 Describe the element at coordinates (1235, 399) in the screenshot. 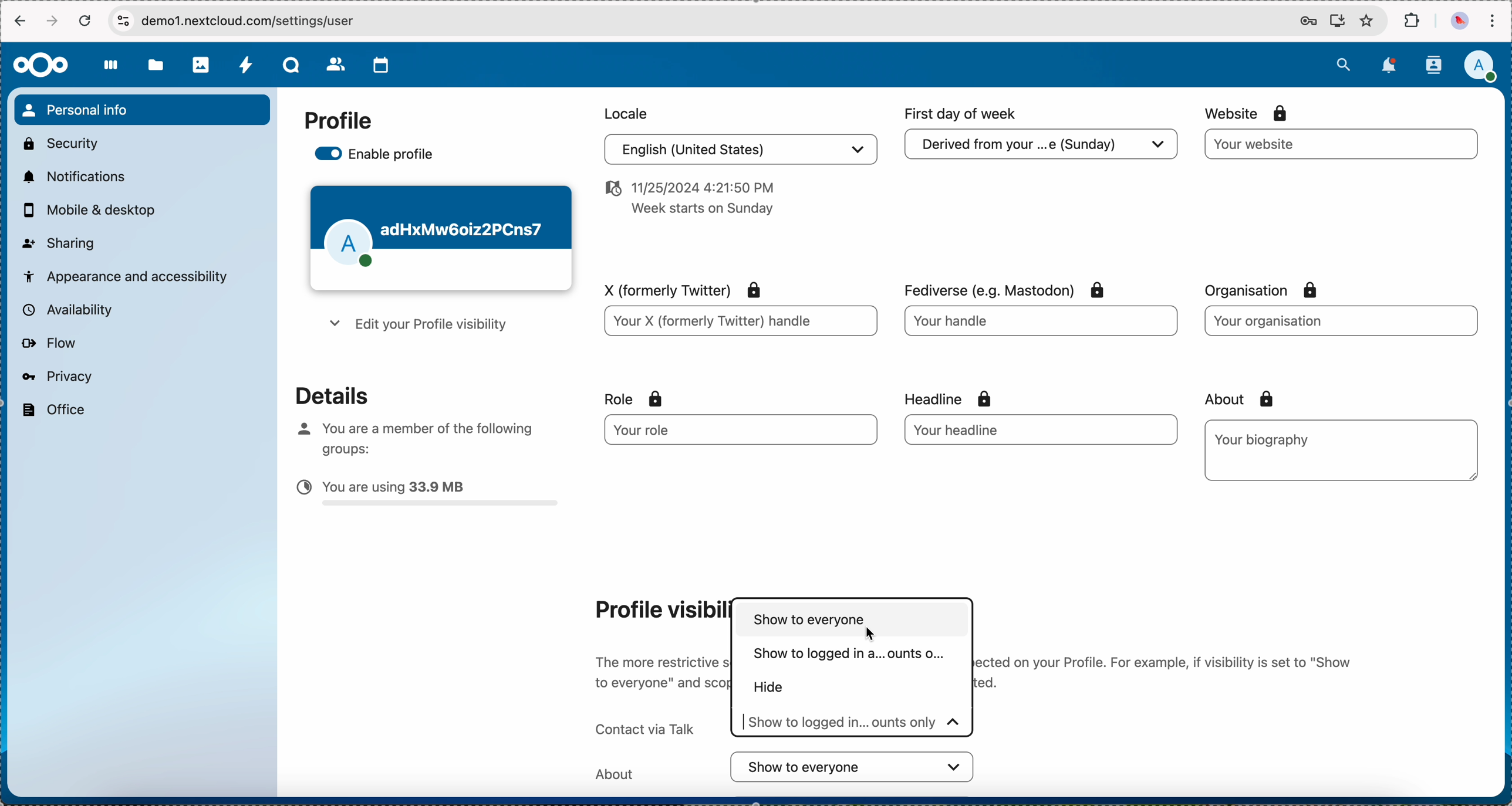

I see `about` at that location.